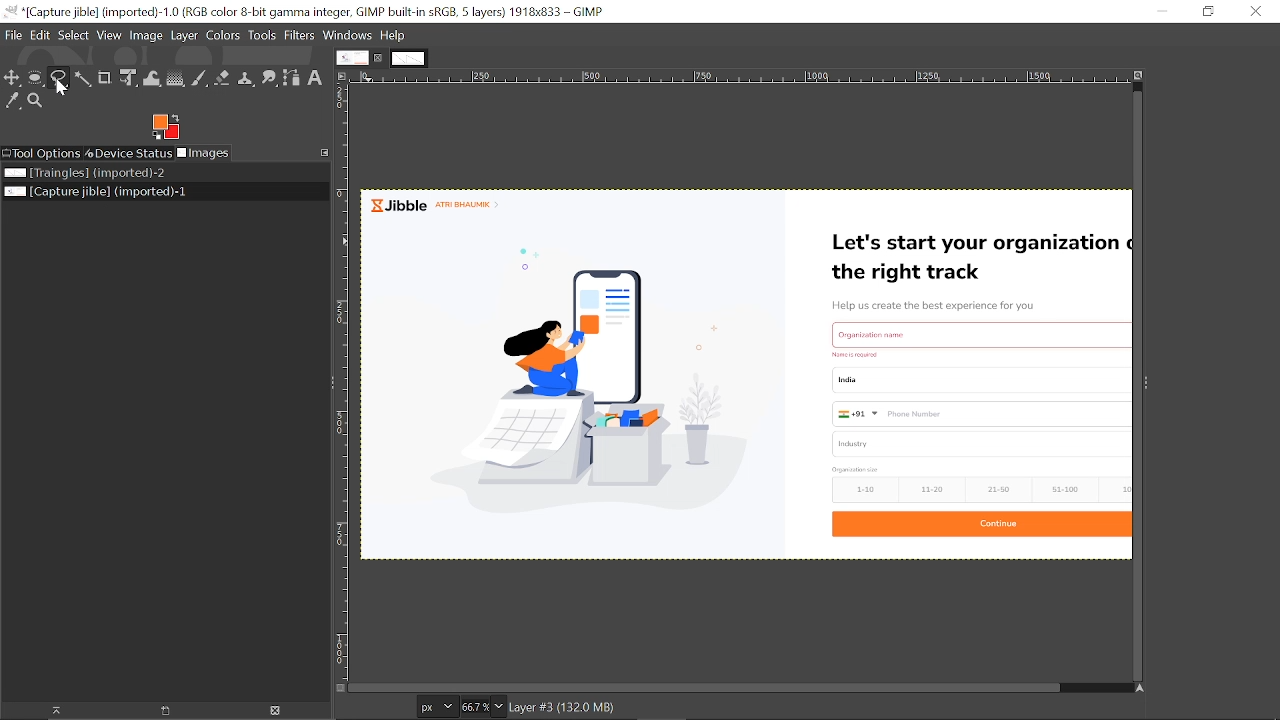  What do you see at coordinates (67, 95) in the screenshot?
I see `cursor` at bounding box center [67, 95].